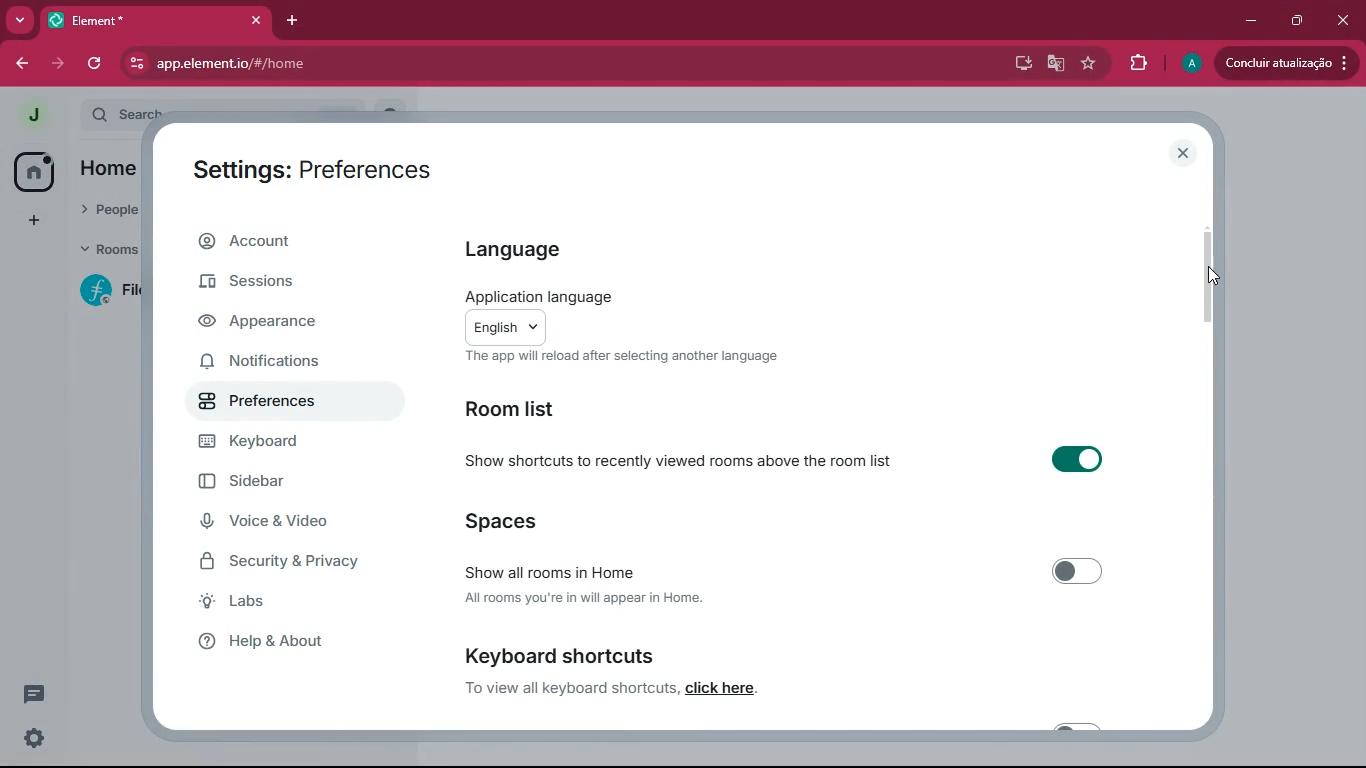 The height and width of the screenshot is (768, 1366). Describe the element at coordinates (785, 568) in the screenshot. I see `show all rooms in here All rooms you're in will appear is home` at that location.